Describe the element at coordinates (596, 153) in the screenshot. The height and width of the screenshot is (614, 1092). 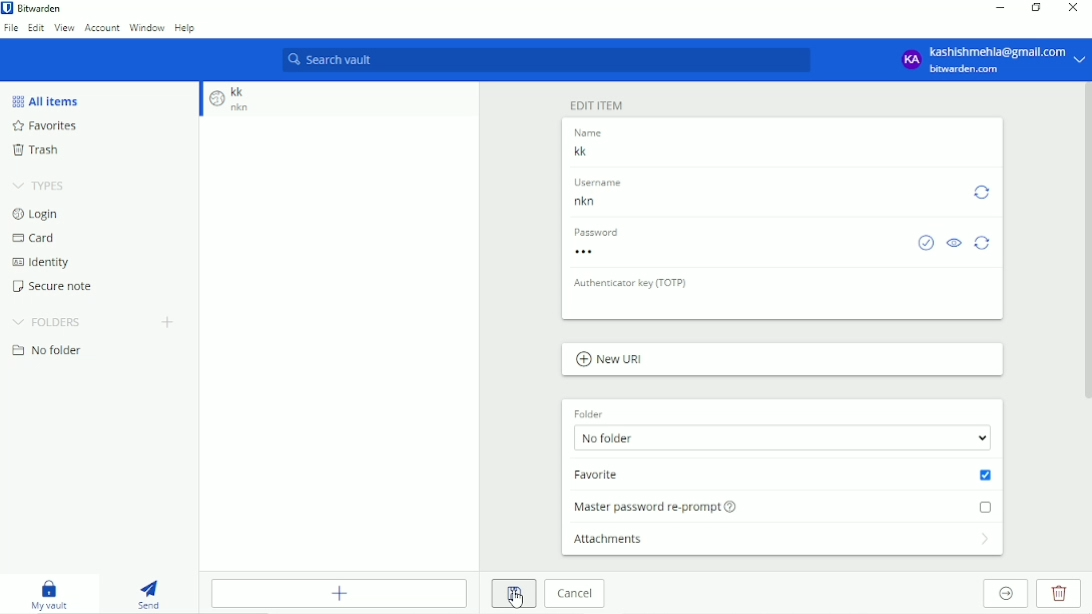
I see `entry Name` at that location.